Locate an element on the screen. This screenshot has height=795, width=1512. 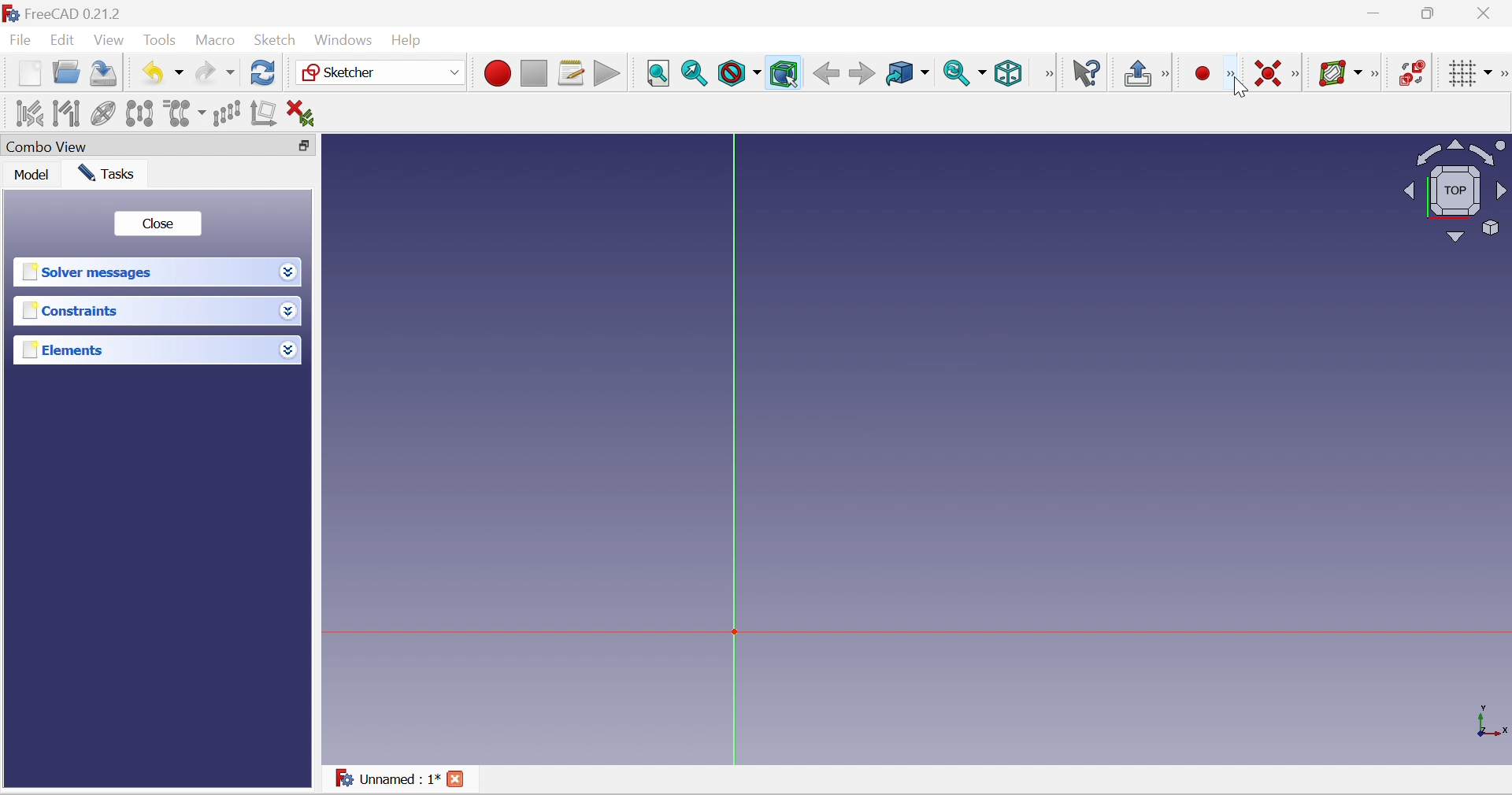
Save is located at coordinates (106, 74).